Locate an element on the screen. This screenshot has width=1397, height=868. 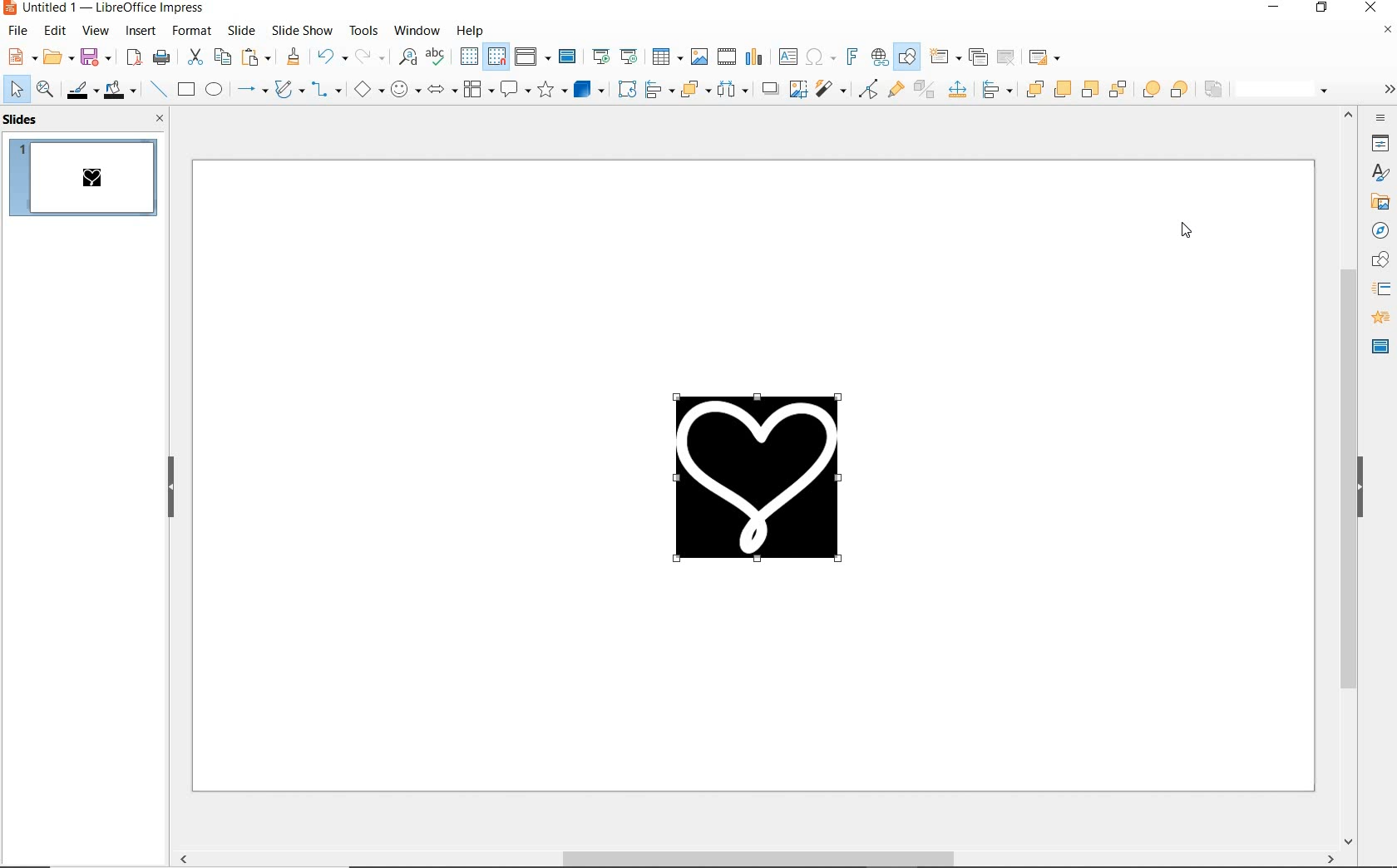
line color is located at coordinates (81, 90).